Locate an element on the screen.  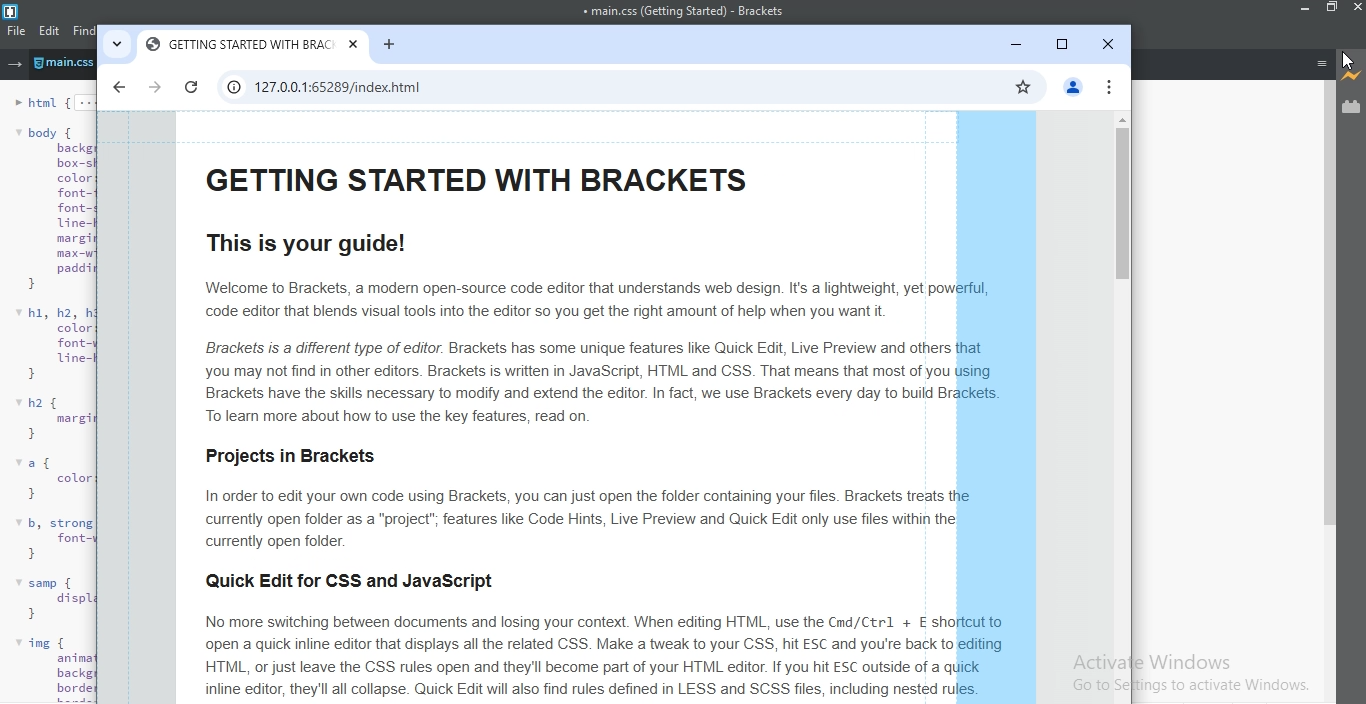
GETTING STARTED WITH BRACKETS is located at coordinates (242, 47).